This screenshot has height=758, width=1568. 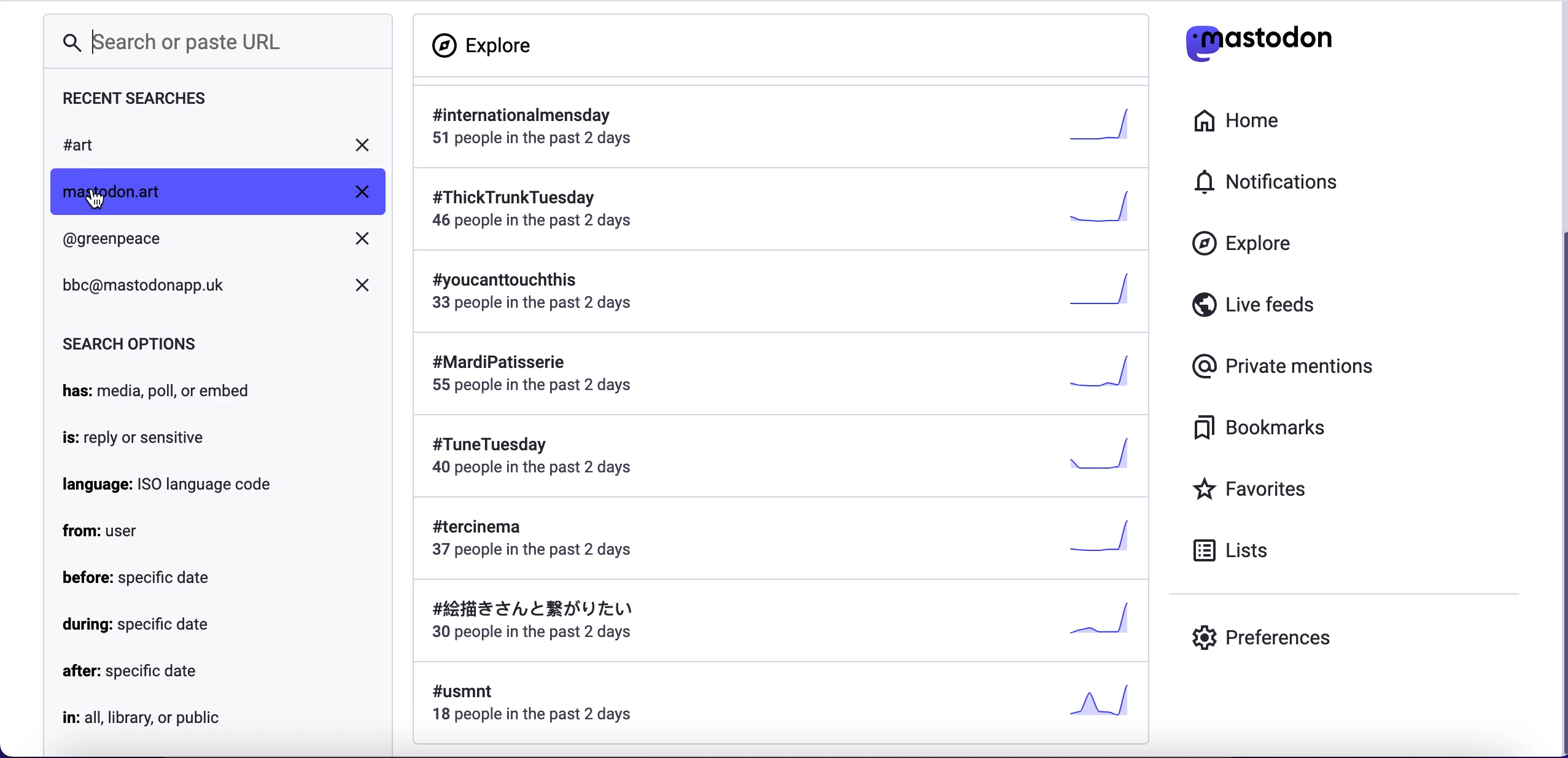 What do you see at coordinates (1252, 303) in the screenshot?
I see `live feeds` at bounding box center [1252, 303].